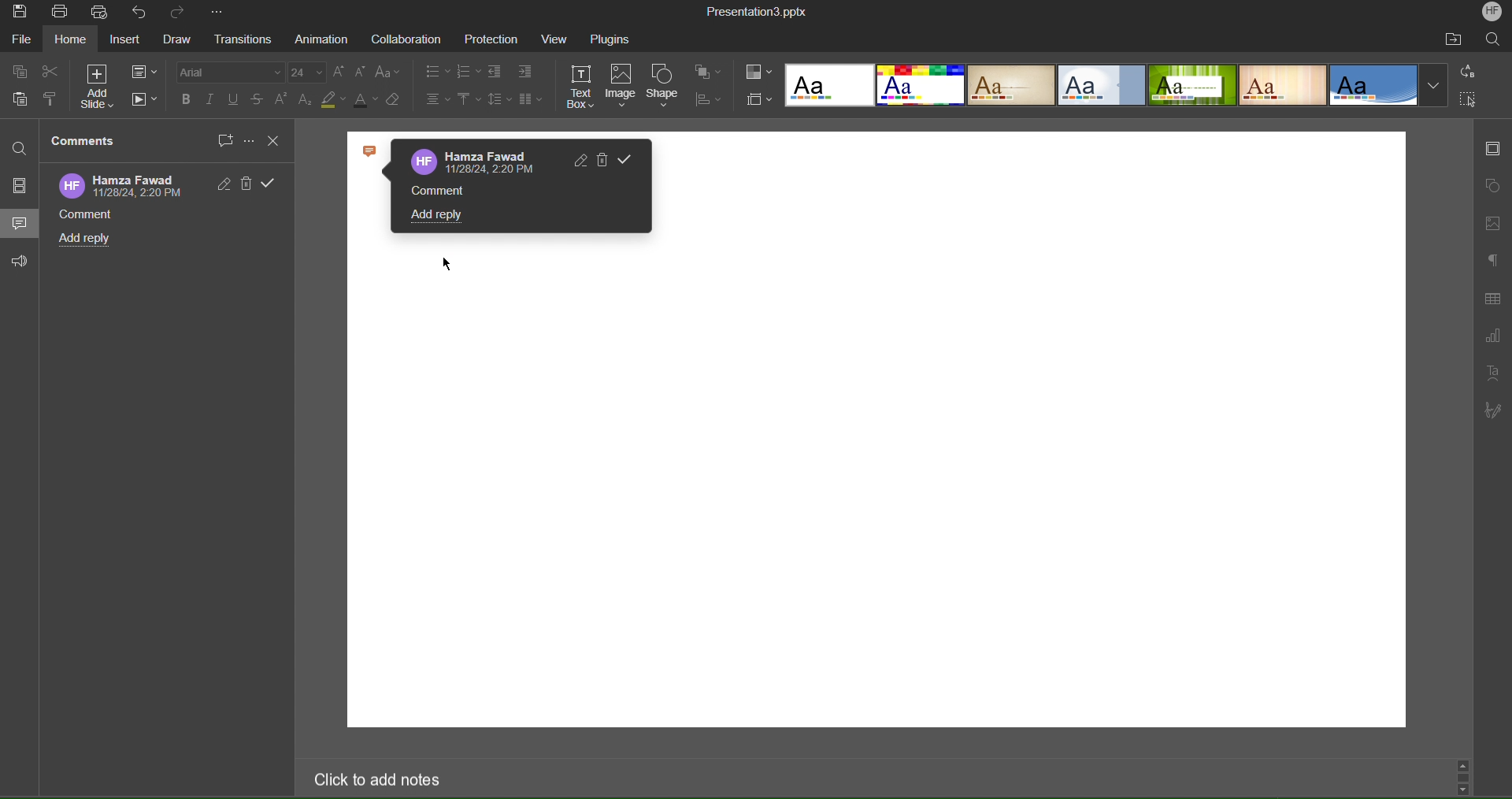 The width and height of the screenshot is (1512, 799). Describe the element at coordinates (447, 264) in the screenshot. I see `cursor` at that location.